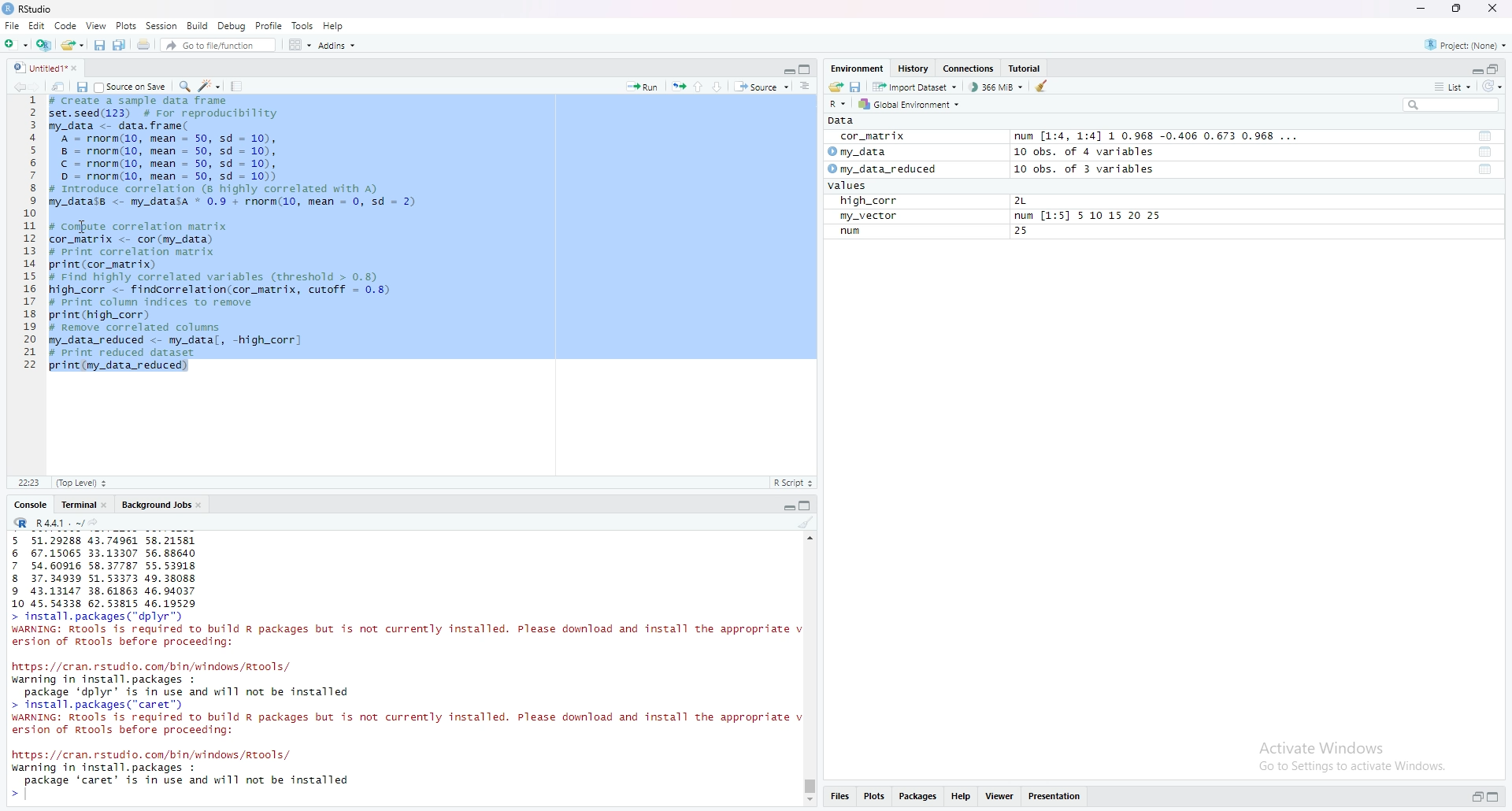 Image resolution: width=1512 pixels, height=811 pixels. What do you see at coordinates (644, 87) in the screenshot?
I see `Run` at bounding box center [644, 87].